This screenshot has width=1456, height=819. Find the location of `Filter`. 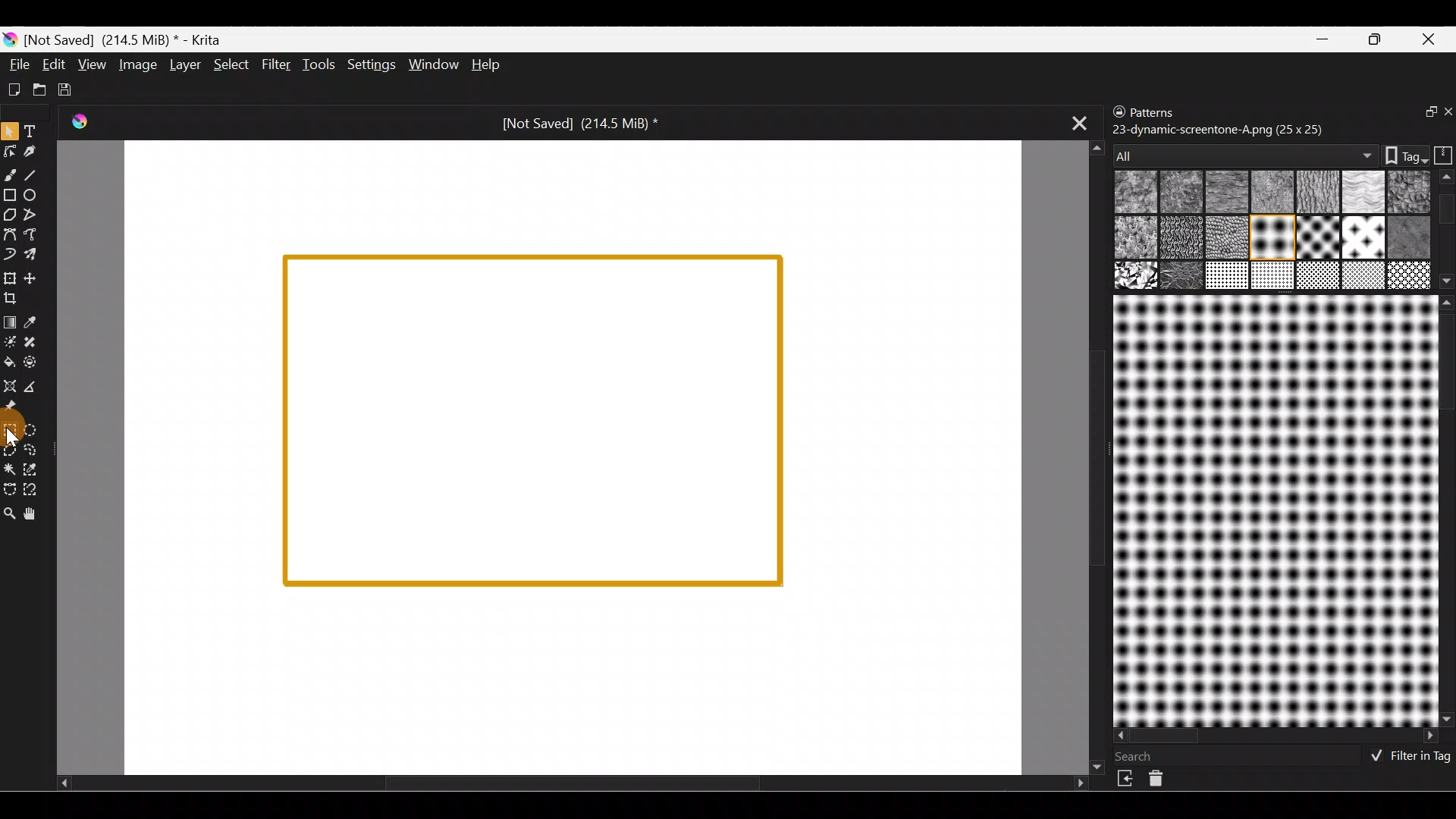

Filter is located at coordinates (276, 63).